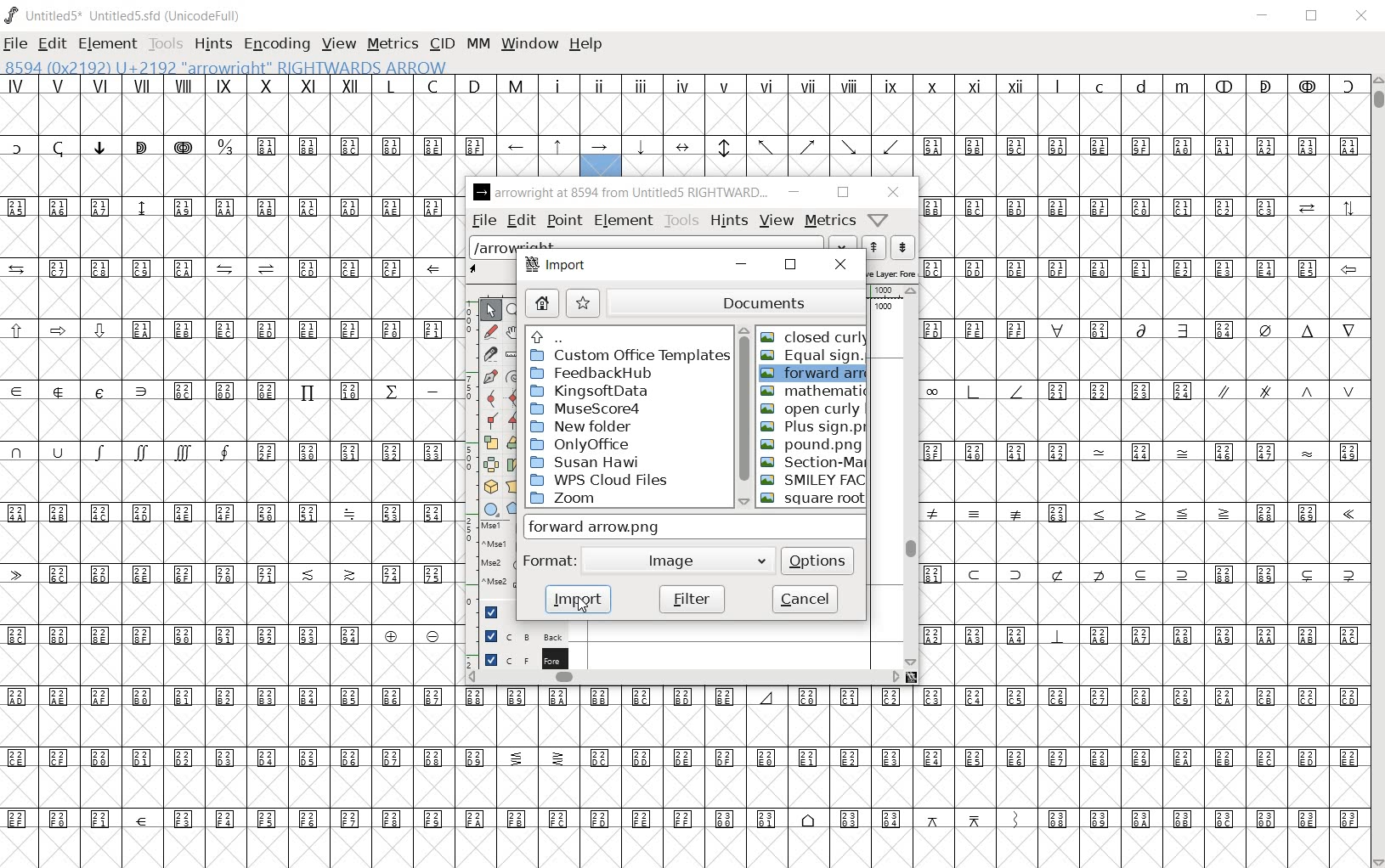 The height and width of the screenshot is (868, 1385). I want to click on Add a corner point, so click(491, 420).